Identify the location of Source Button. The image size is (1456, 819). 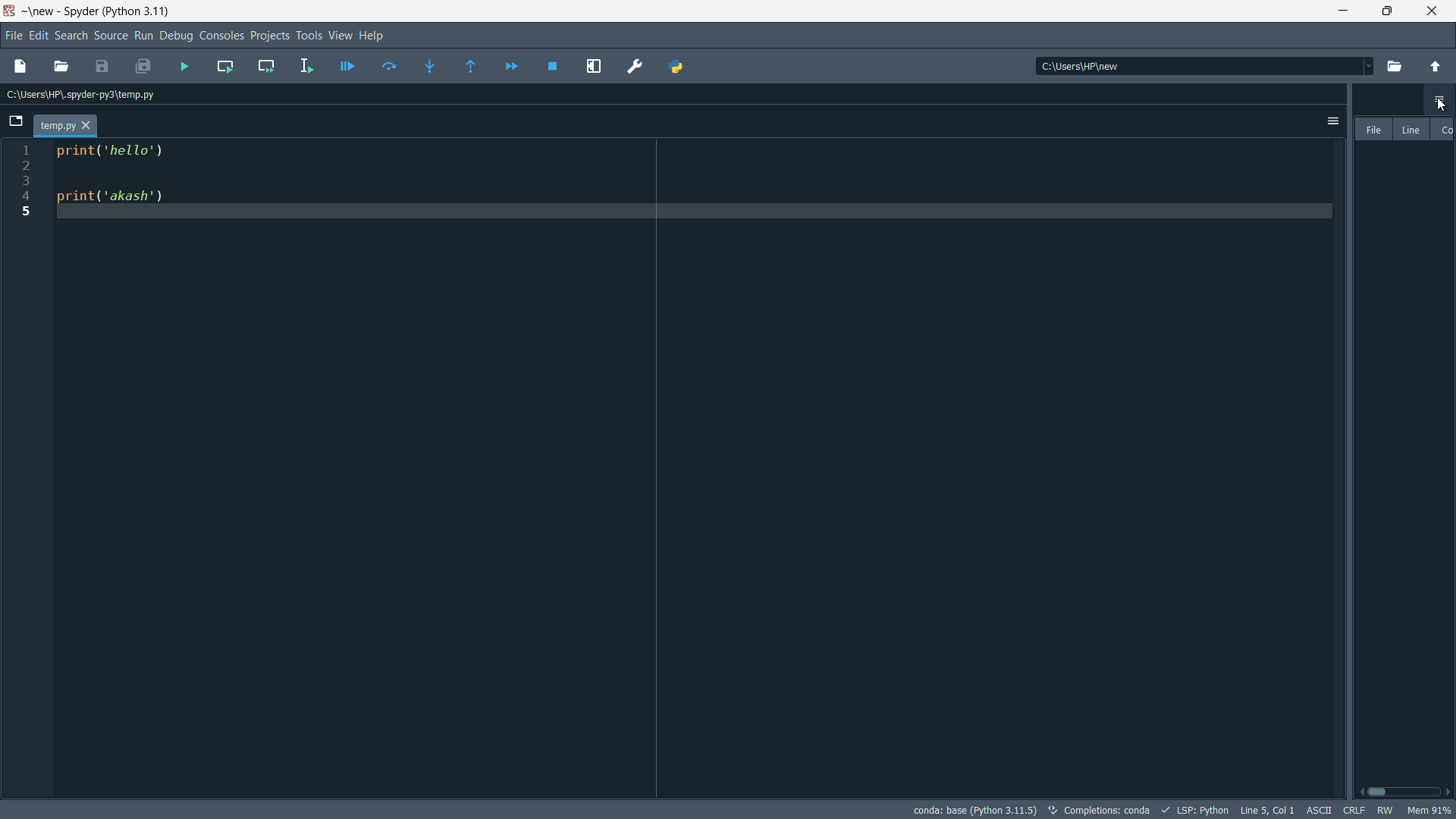
(111, 36).